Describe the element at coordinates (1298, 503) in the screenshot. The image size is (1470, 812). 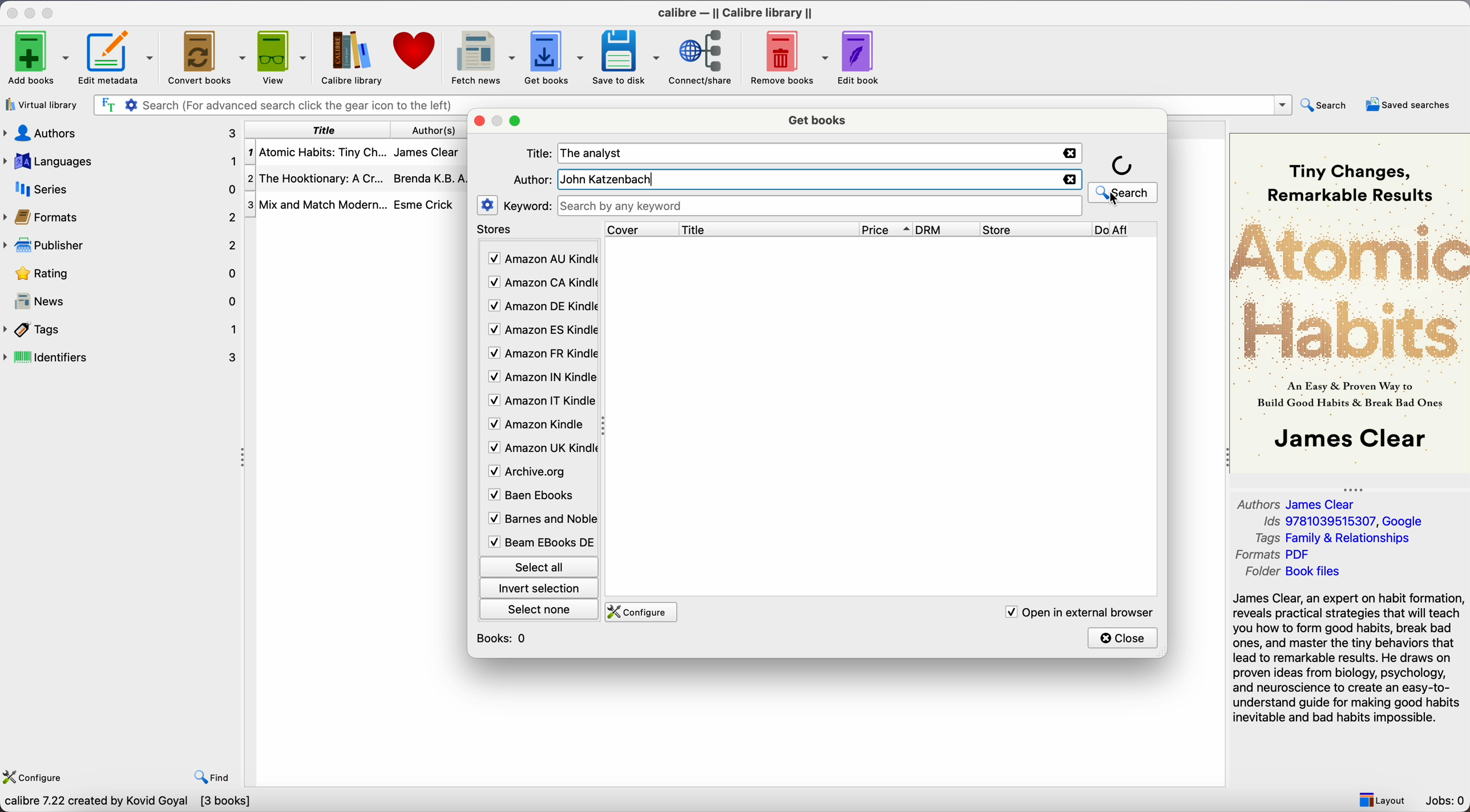
I see `Authors James Clear` at that location.